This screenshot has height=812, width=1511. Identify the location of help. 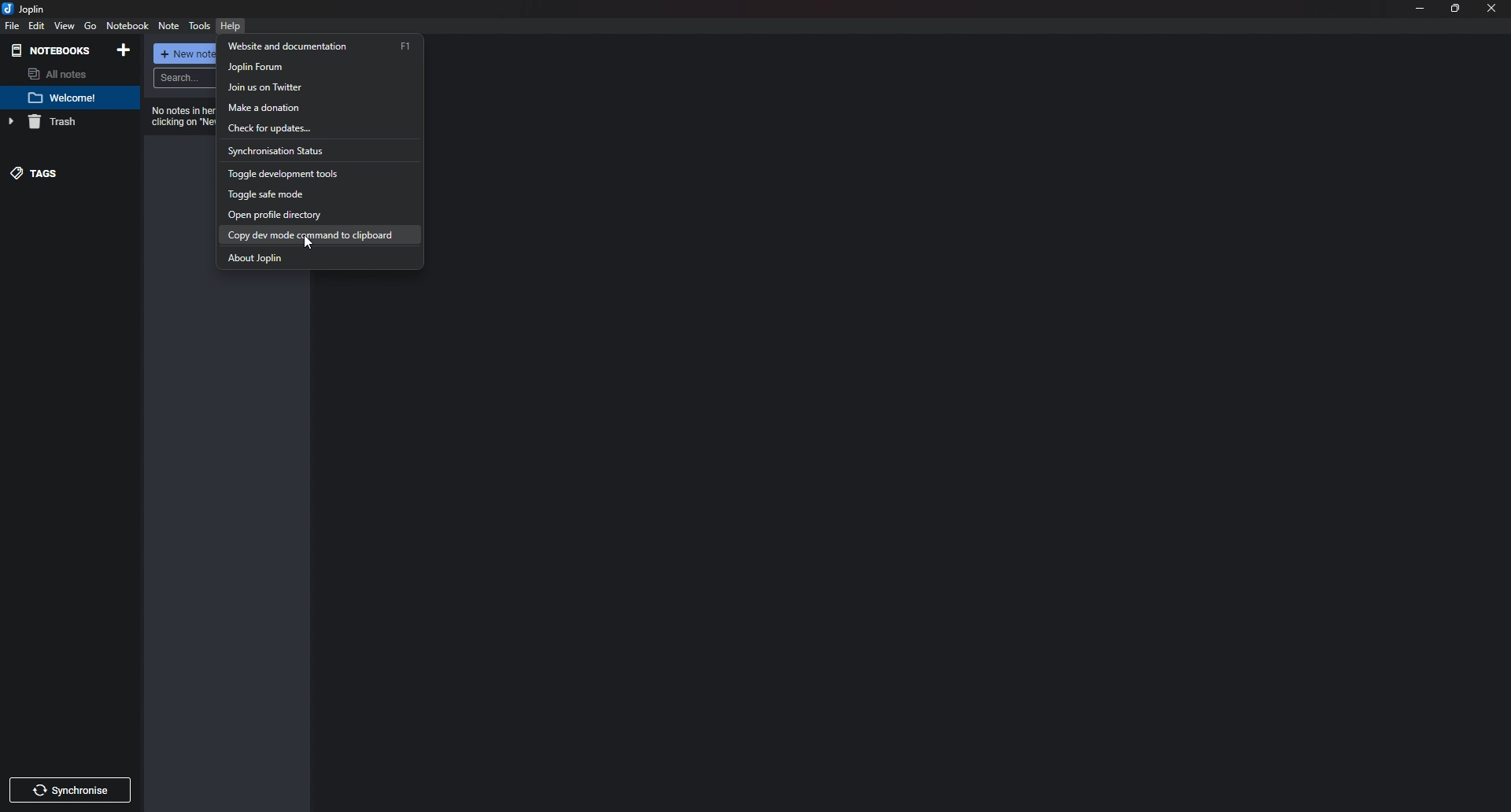
(231, 27).